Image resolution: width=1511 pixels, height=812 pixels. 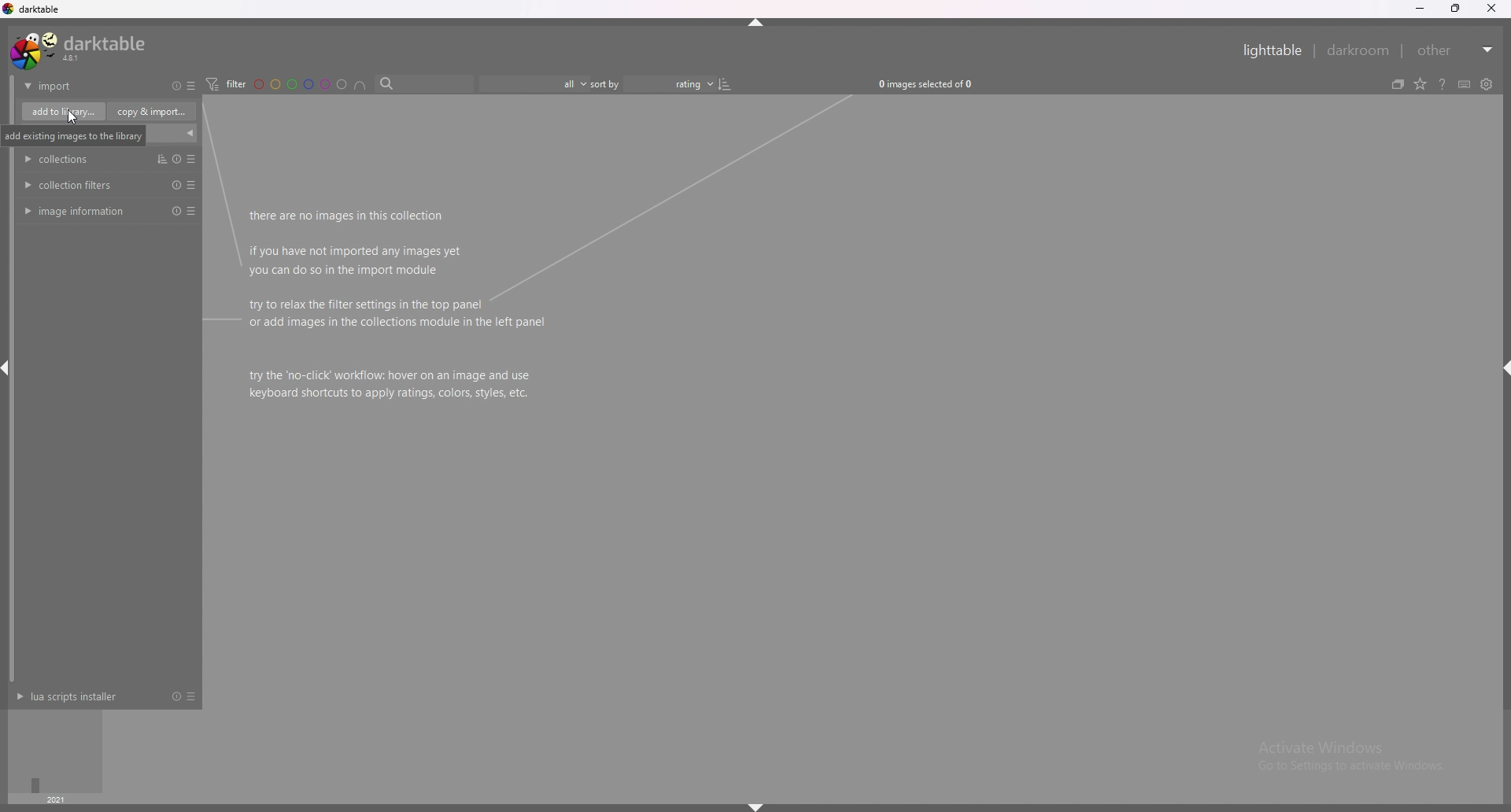 I want to click on help, so click(x=1443, y=84).